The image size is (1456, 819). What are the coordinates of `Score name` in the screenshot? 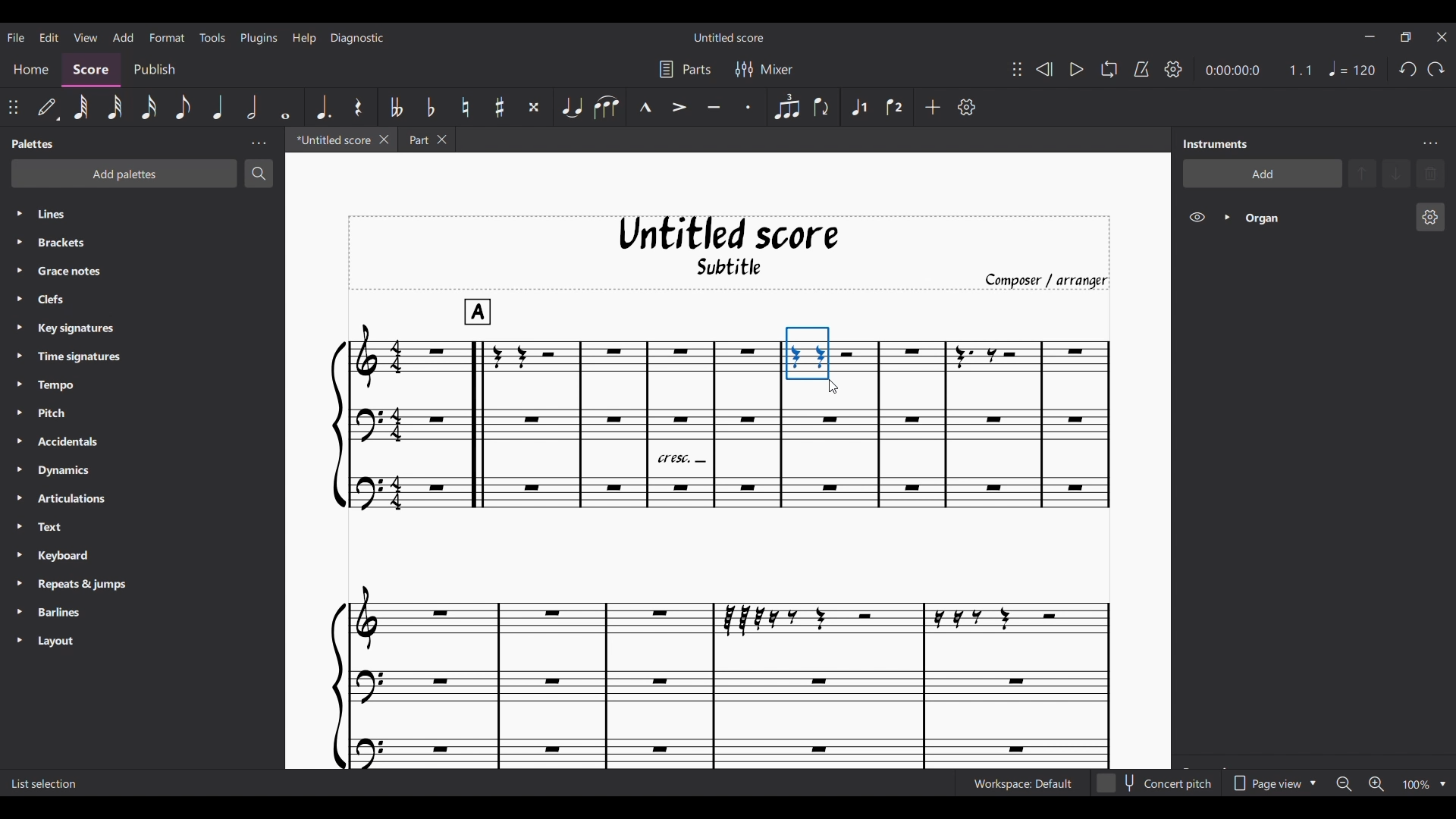 It's located at (730, 36).